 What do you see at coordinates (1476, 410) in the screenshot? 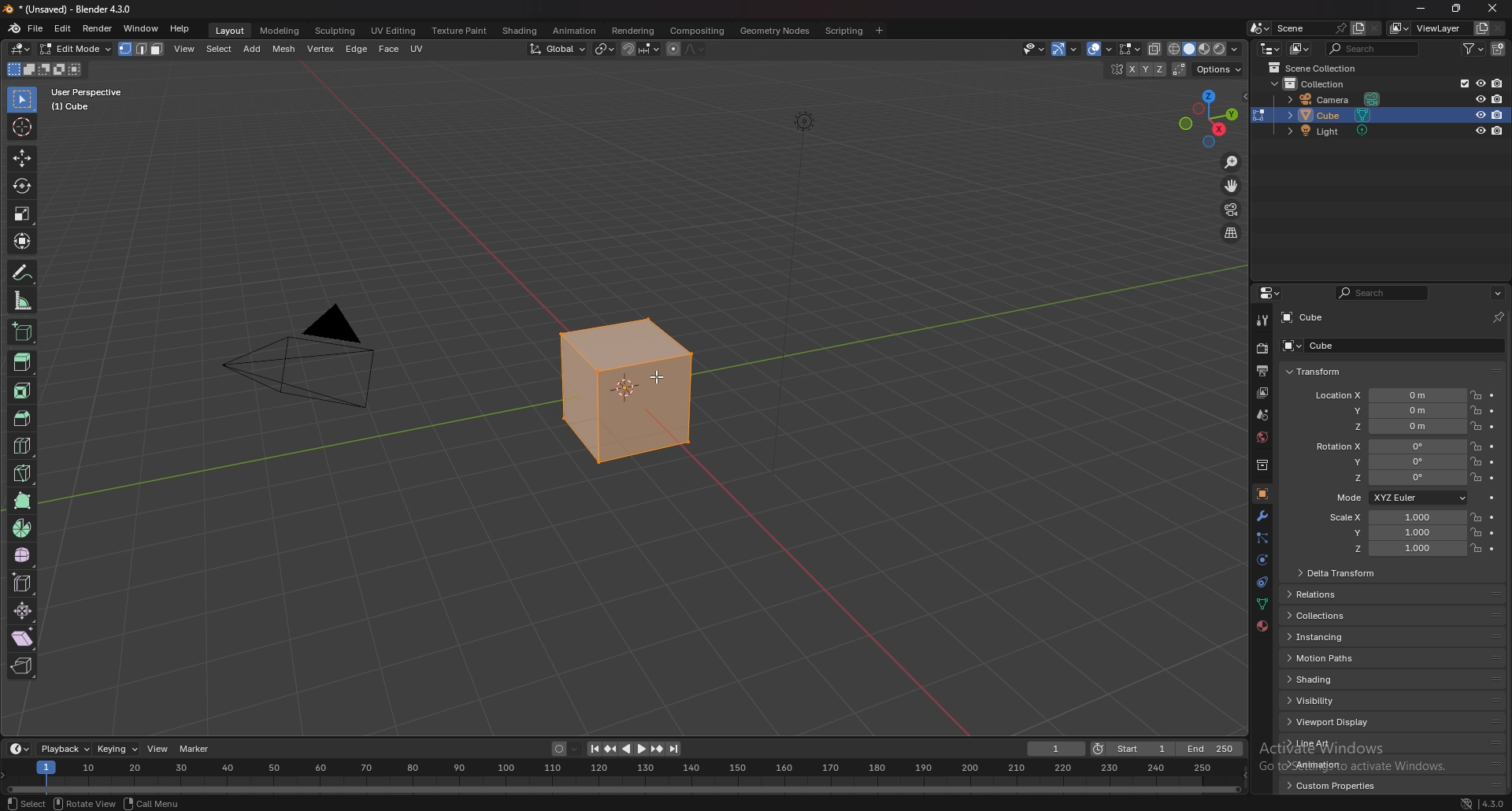
I see `lock location` at bounding box center [1476, 410].